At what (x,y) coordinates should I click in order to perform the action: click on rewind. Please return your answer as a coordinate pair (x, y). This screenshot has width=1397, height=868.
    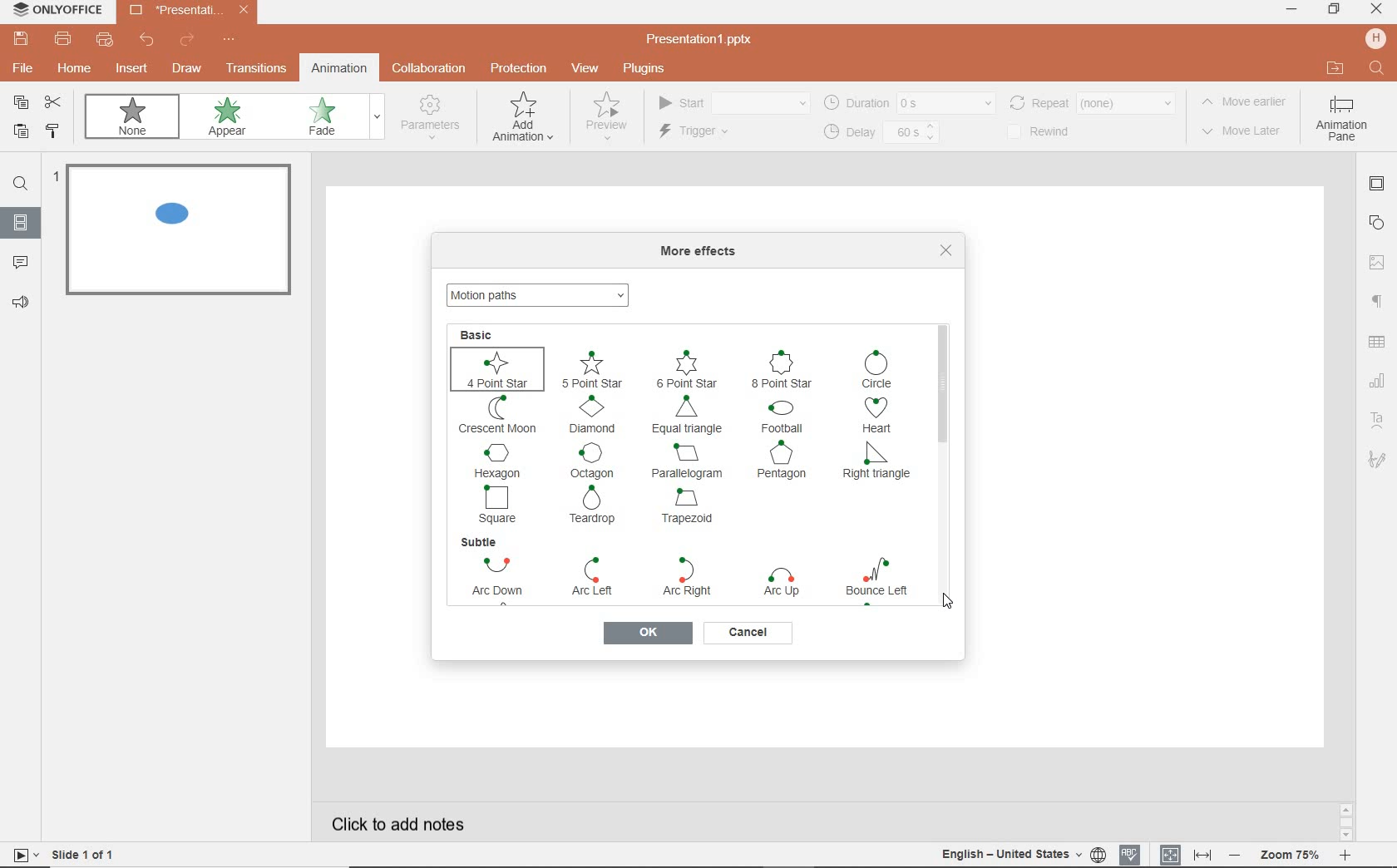
    Looking at the image, I should click on (1091, 101).